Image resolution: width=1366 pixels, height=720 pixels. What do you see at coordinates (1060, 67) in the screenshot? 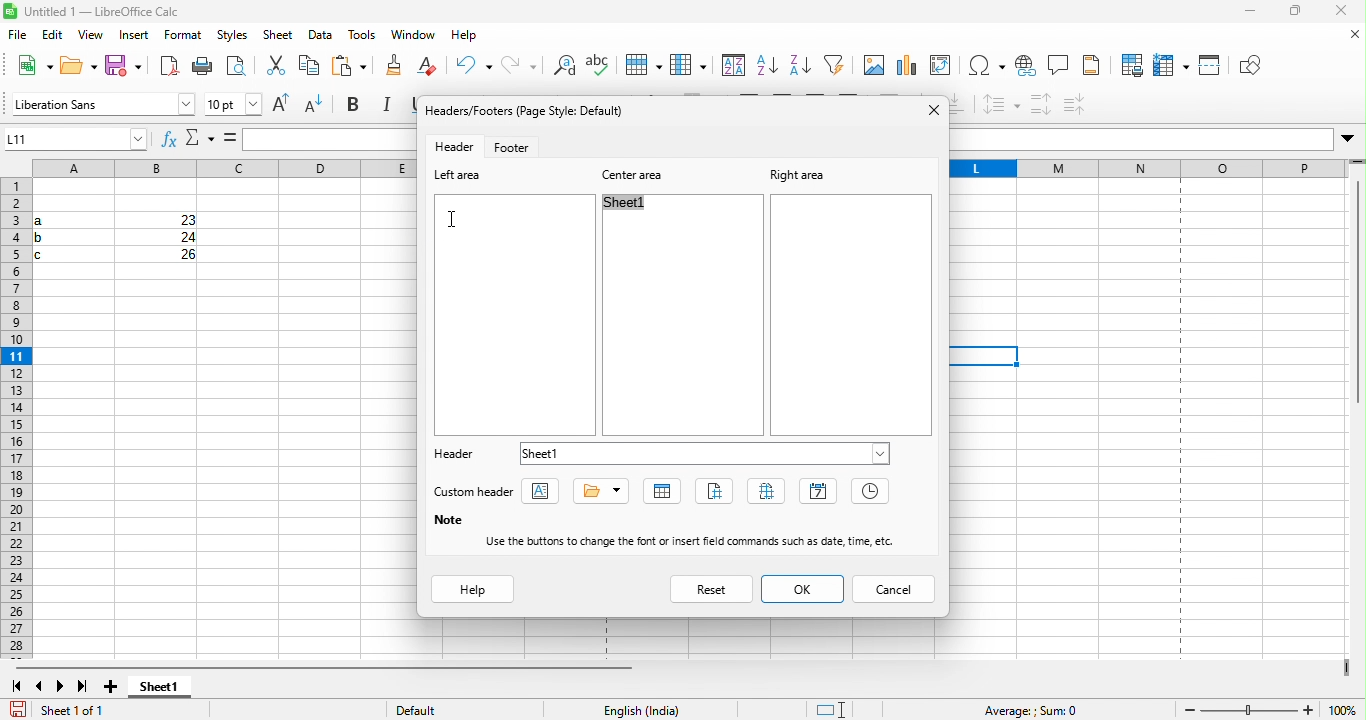
I see `comment` at bounding box center [1060, 67].